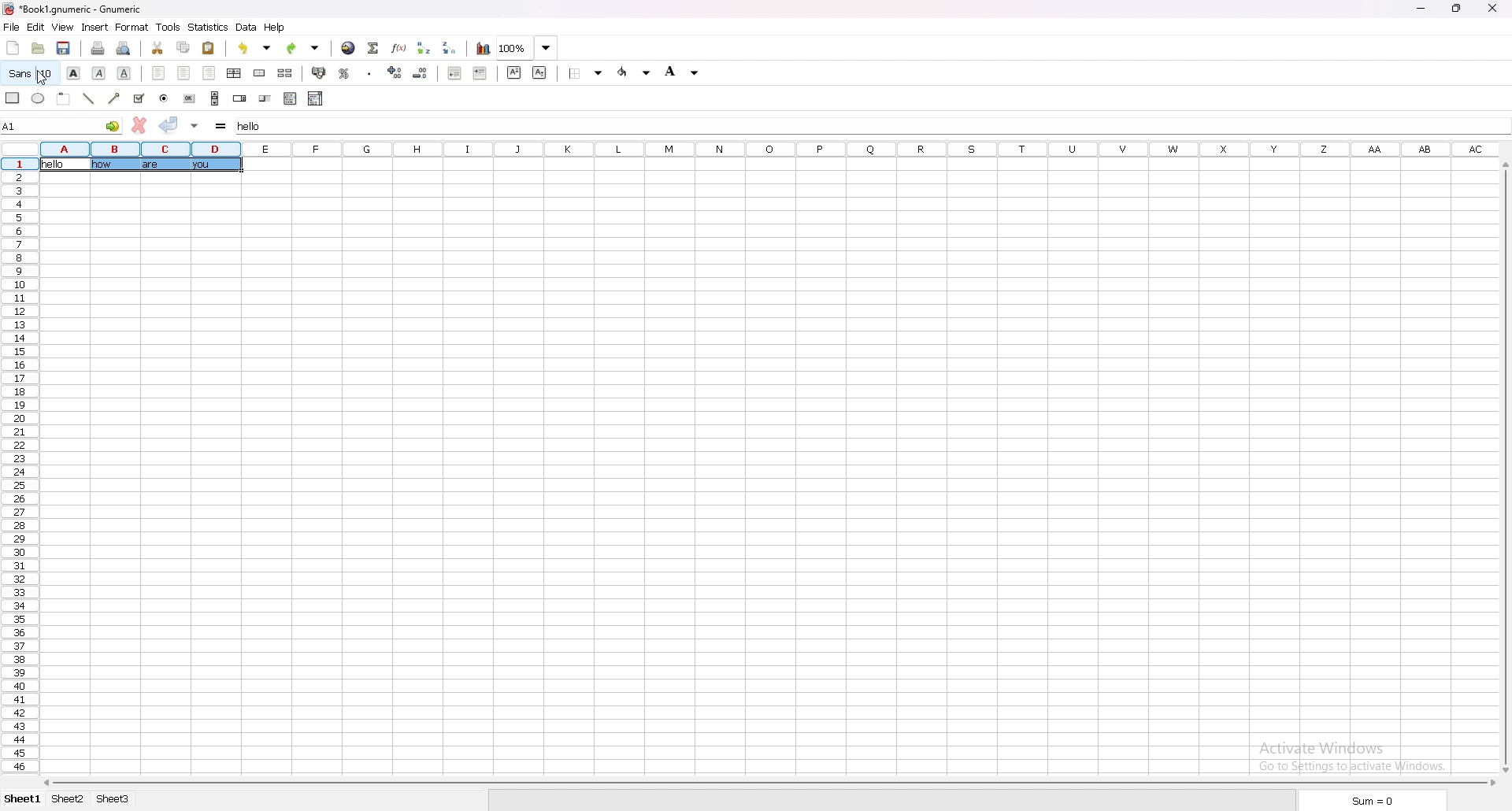 This screenshot has width=1512, height=811. Describe the element at coordinates (452, 48) in the screenshot. I see `sort descending` at that location.